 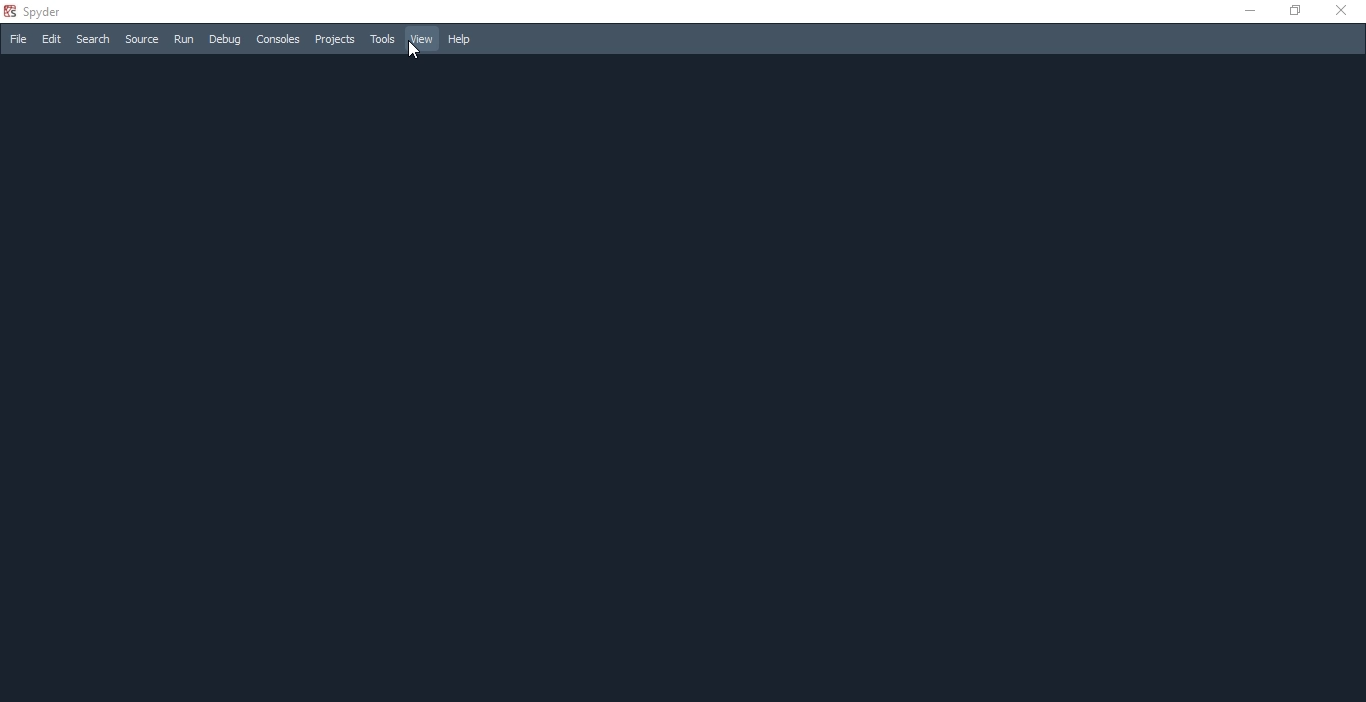 I want to click on File , so click(x=17, y=39).